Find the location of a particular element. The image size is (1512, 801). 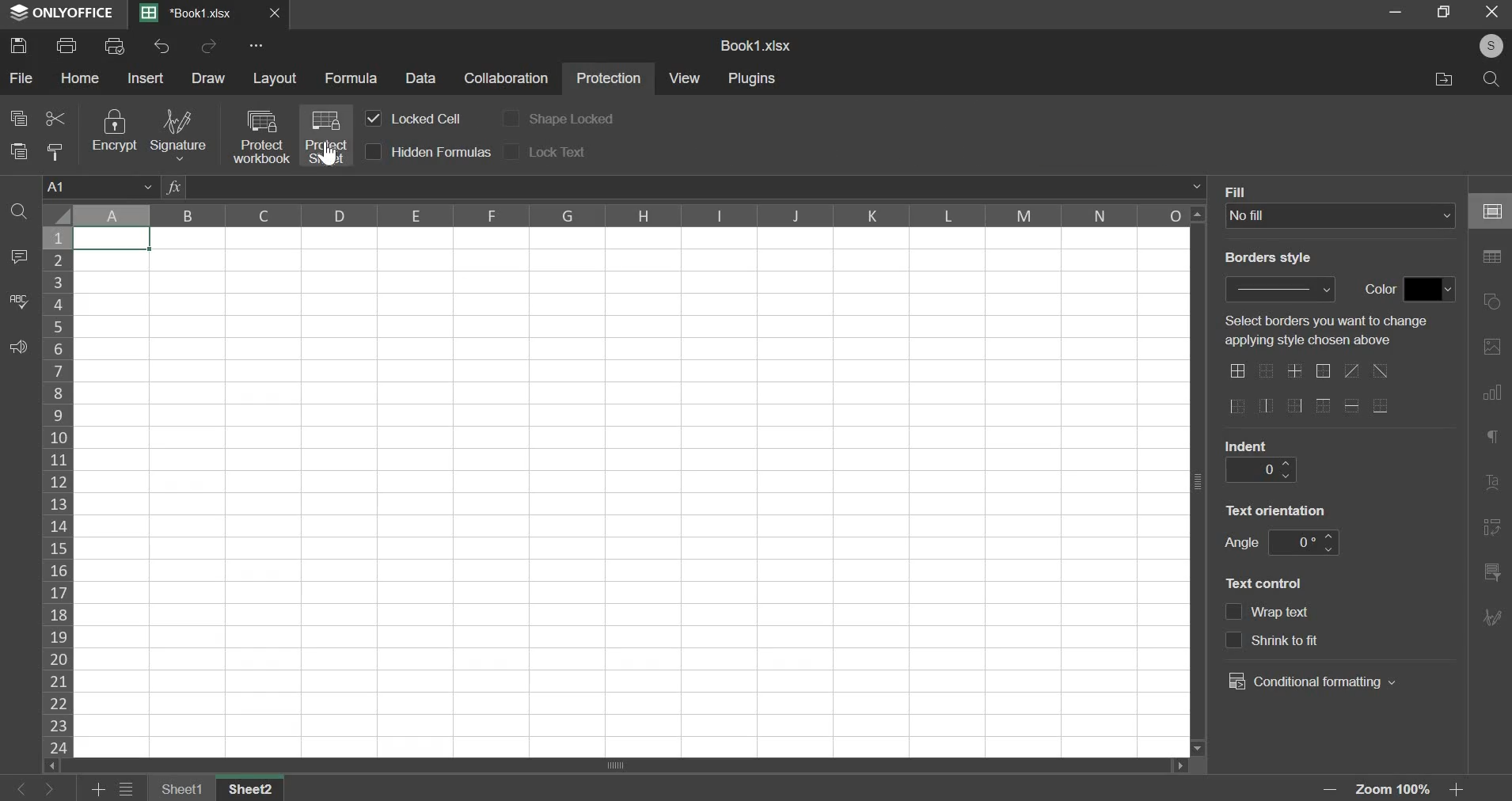

protection is located at coordinates (609, 80).